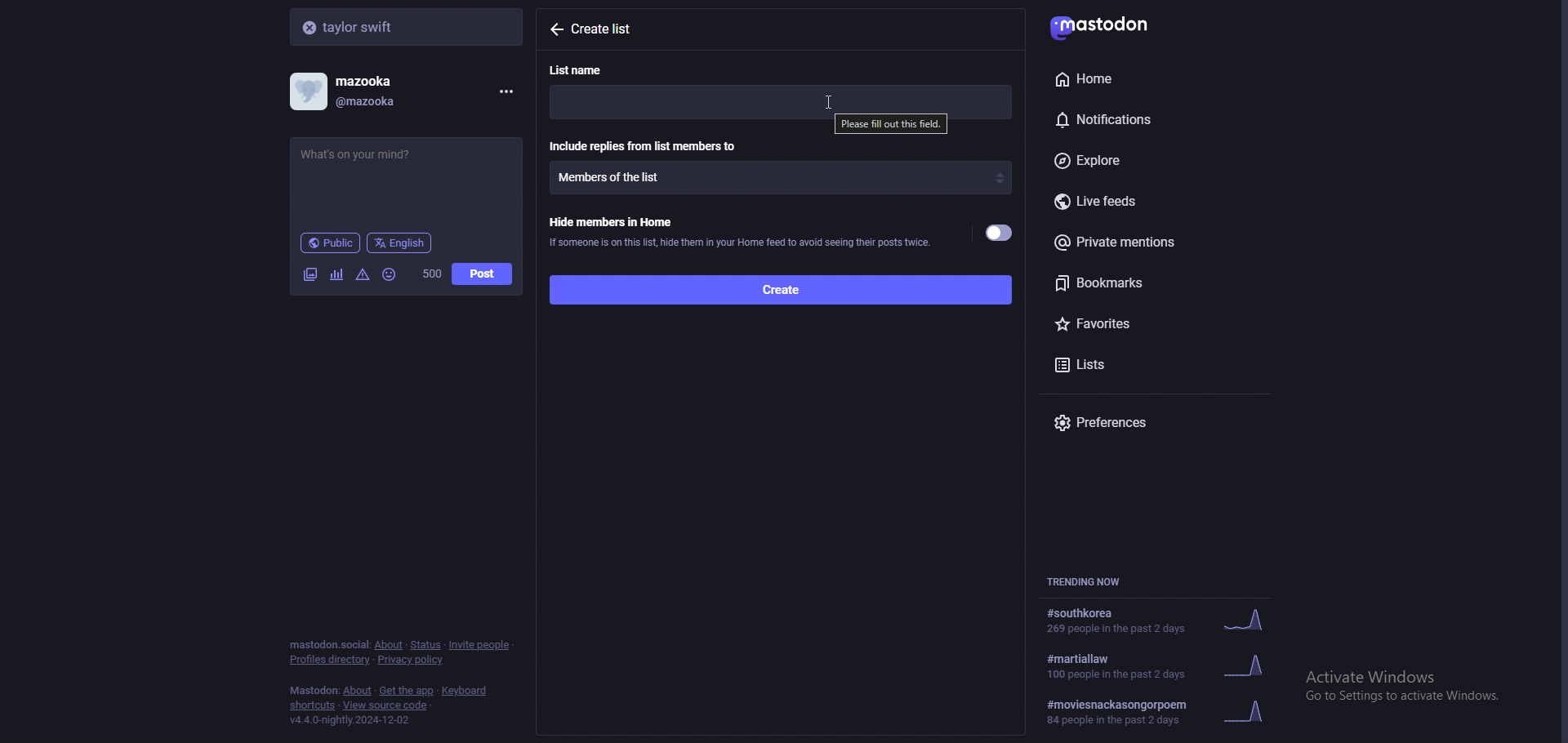  Describe the element at coordinates (1141, 321) in the screenshot. I see `favourites` at that location.